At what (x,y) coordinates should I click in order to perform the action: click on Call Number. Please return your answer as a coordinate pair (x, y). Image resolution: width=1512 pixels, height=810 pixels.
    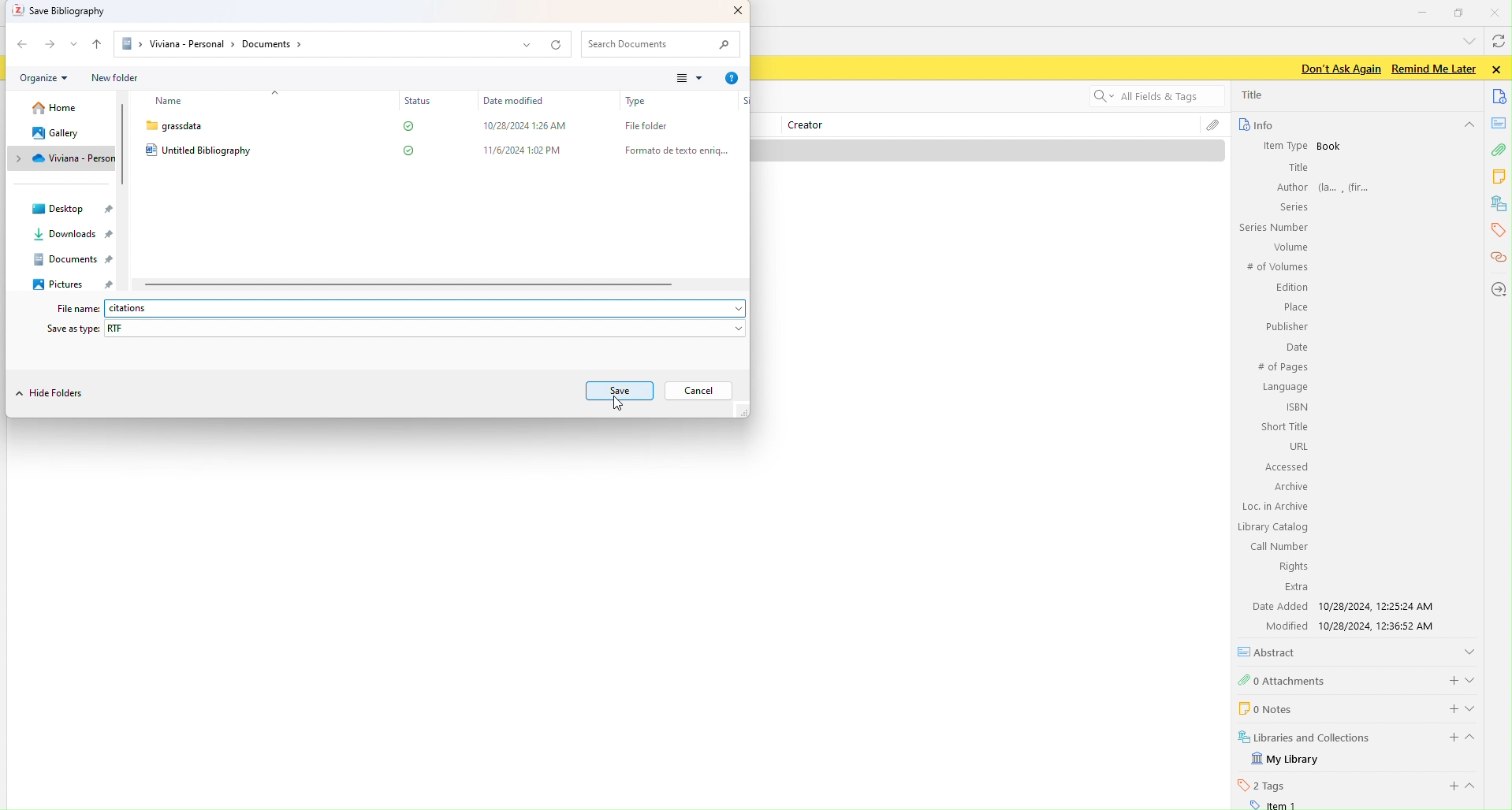
    Looking at the image, I should click on (1278, 546).